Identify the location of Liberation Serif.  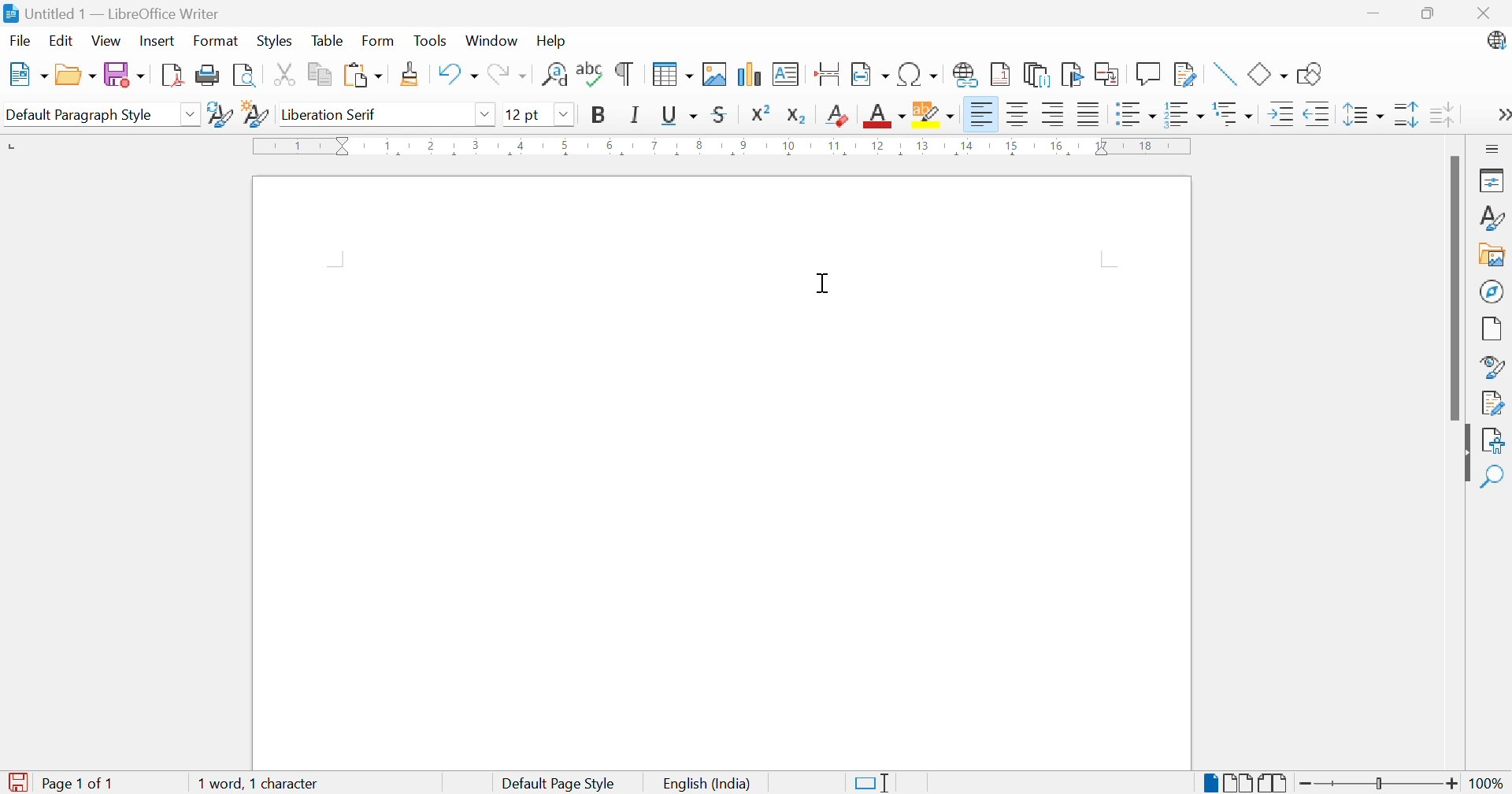
(332, 115).